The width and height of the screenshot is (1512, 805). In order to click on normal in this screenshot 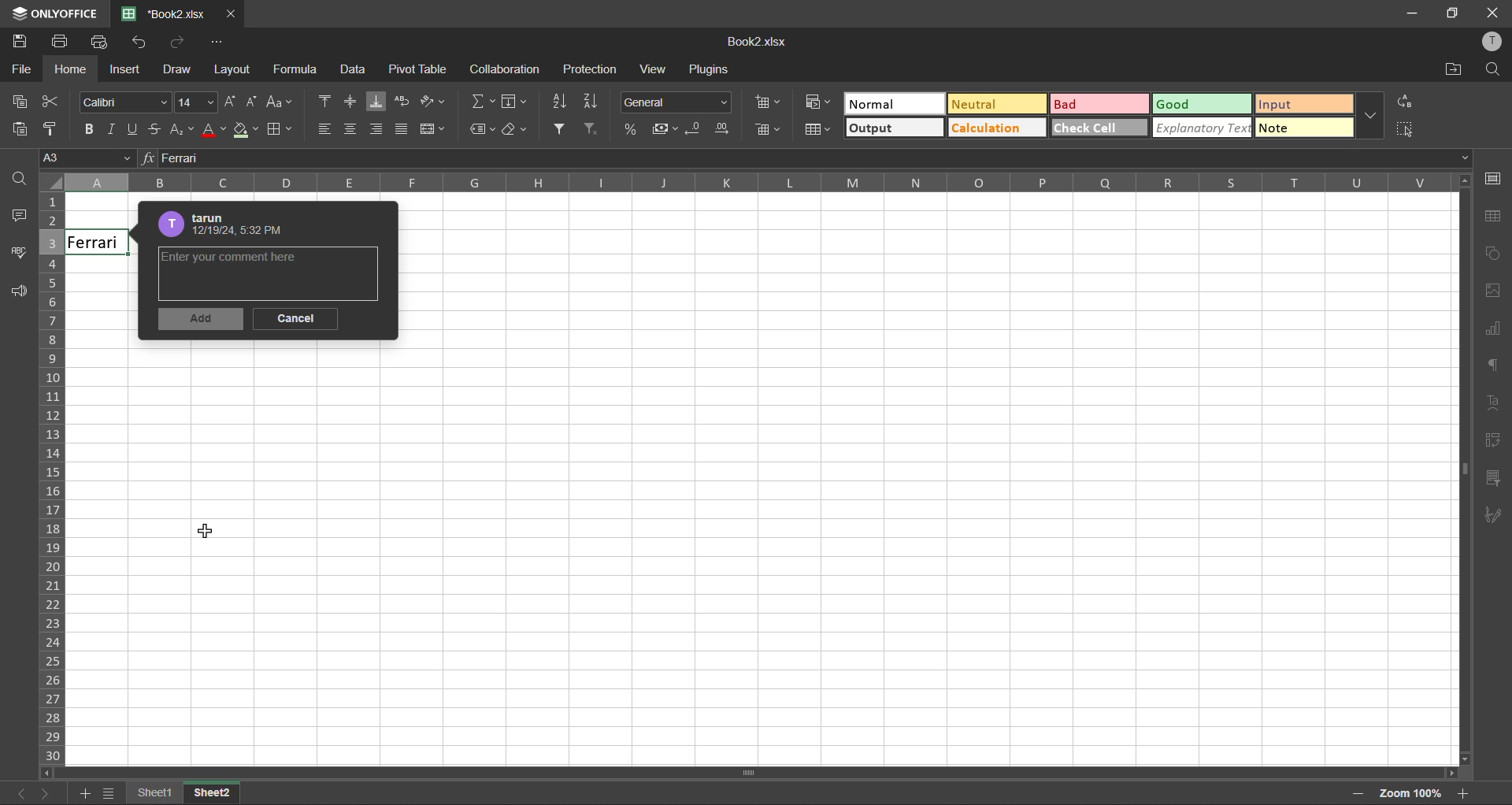, I will do `click(884, 105)`.